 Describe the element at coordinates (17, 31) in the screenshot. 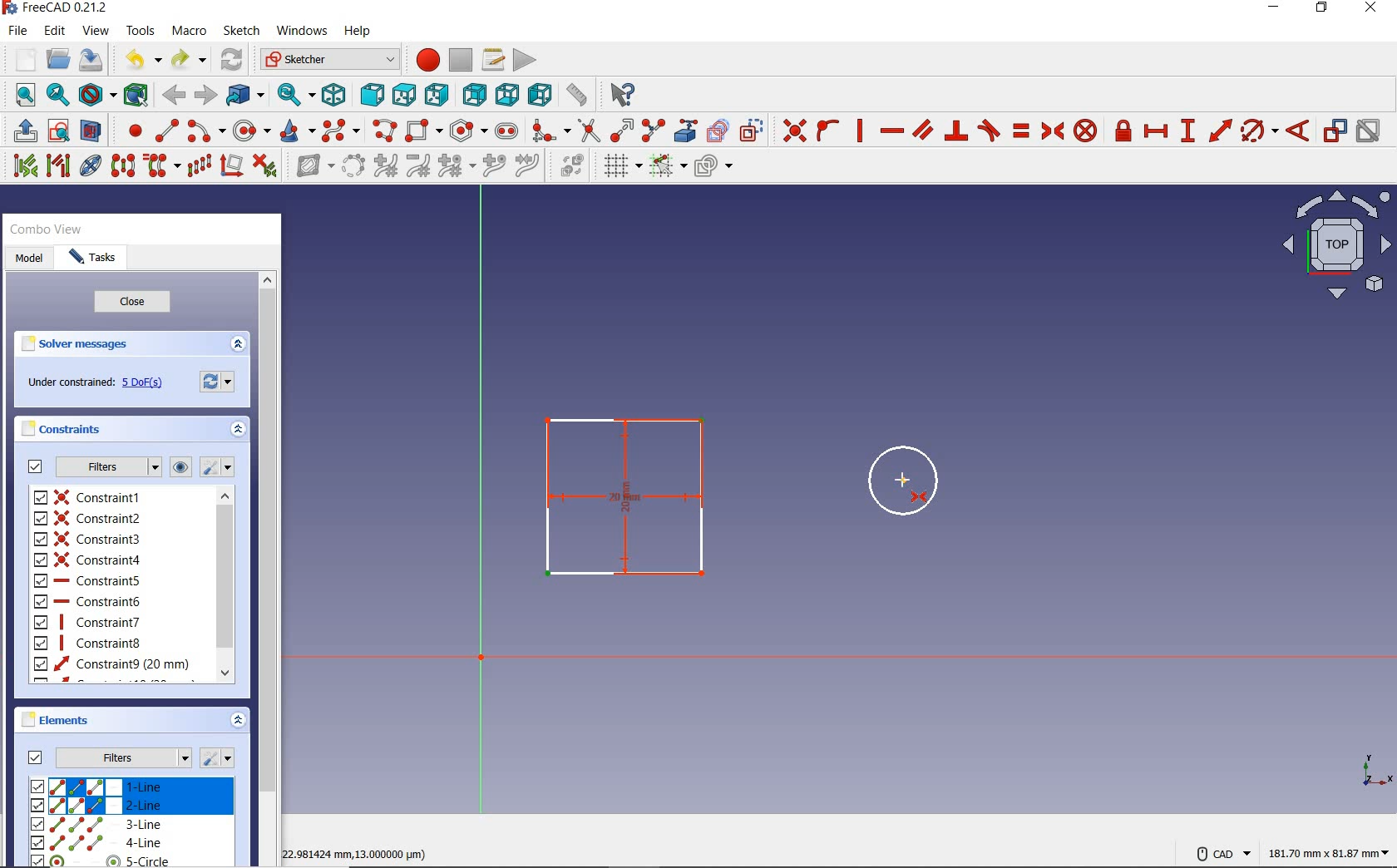

I see `file` at that location.